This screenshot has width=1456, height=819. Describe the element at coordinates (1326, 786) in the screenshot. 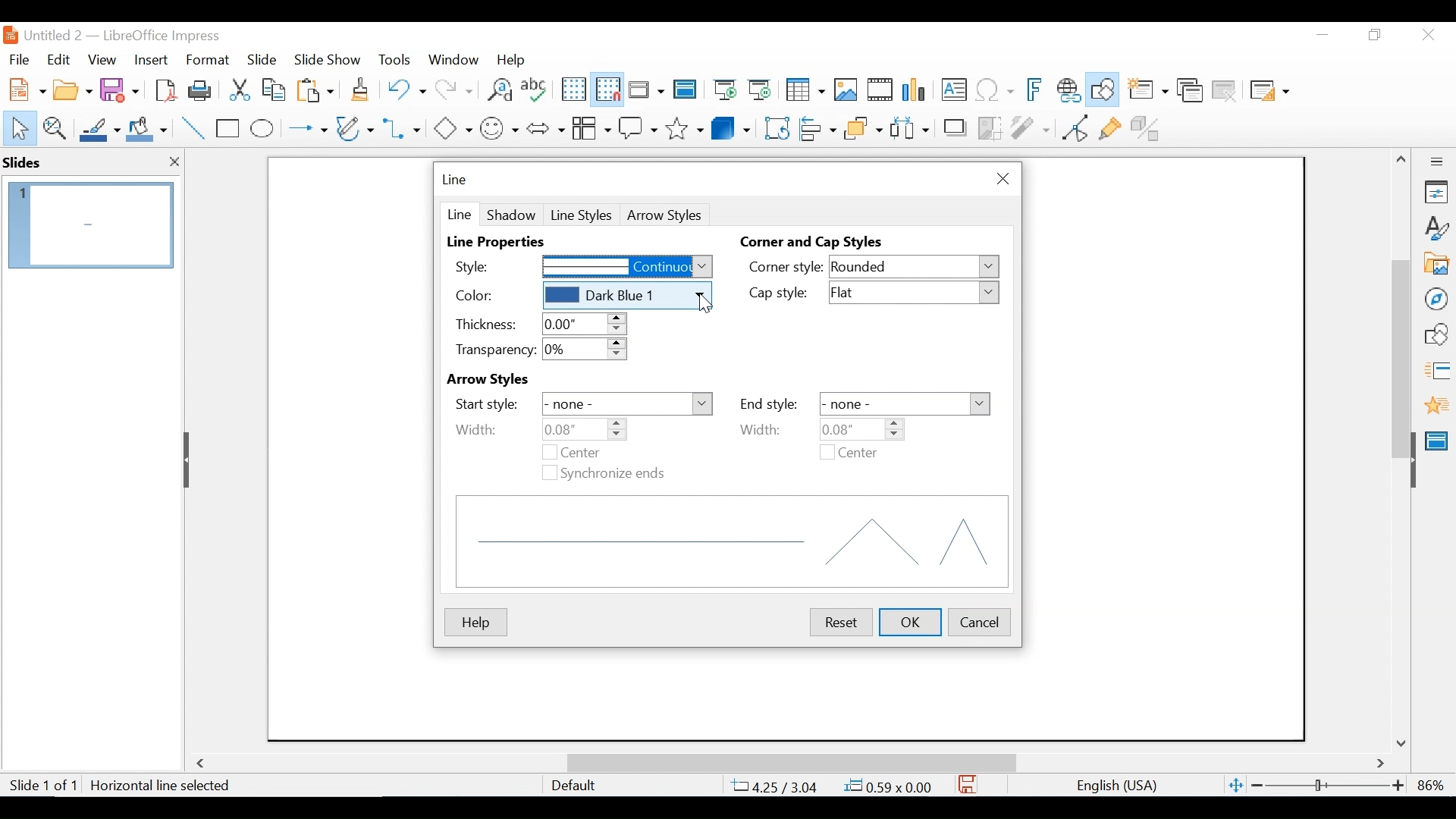

I see `Zoom Slider` at that location.